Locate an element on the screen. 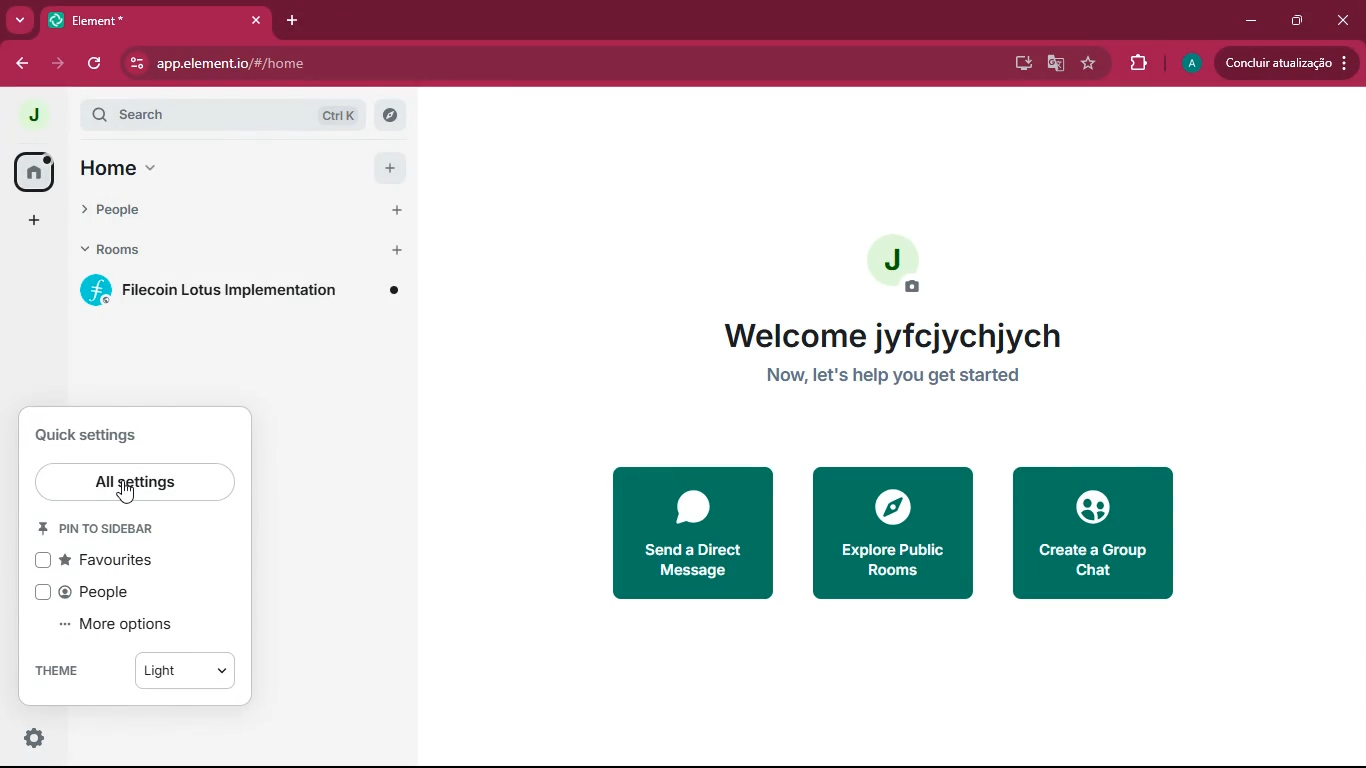 The height and width of the screenshot is (768, 1366). extensions is located at coordinates (1137, 64).